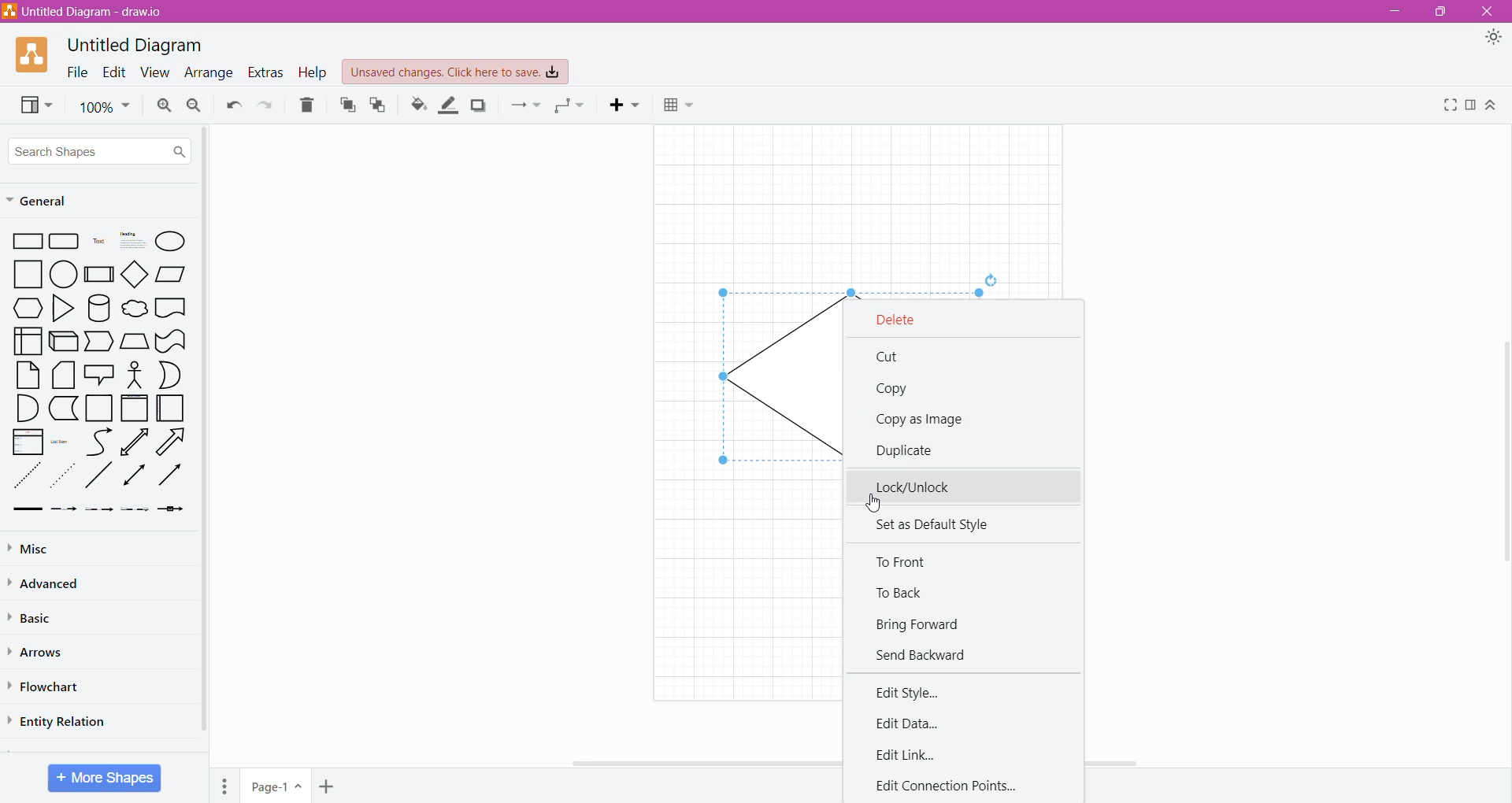 The width and height of the screenshot is (1512, 803). Describe the element at coordinates (965, 487) in the screenshot. I see `Lock/Unlock` at that location.